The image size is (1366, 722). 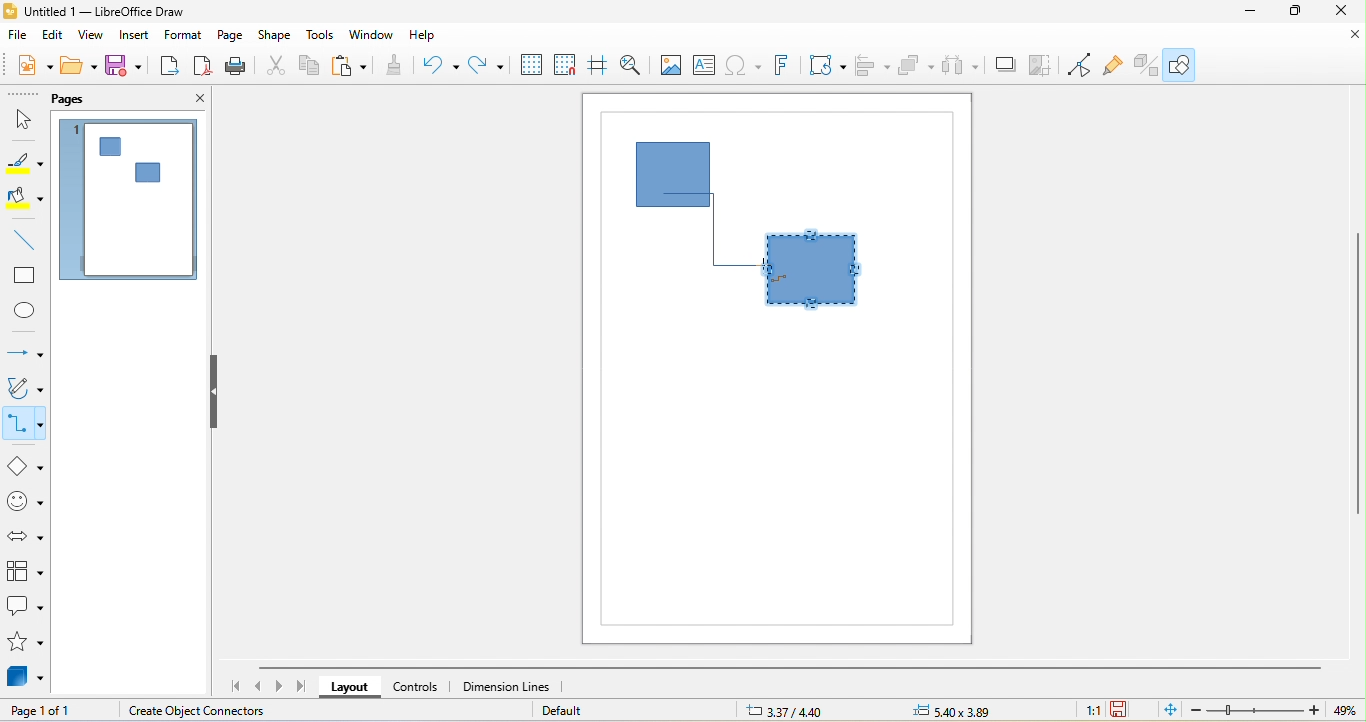 What do you see at coordinates (258, 688) in the screenshot?
I see `scroll to previous page` at bounding box center [258, 688].